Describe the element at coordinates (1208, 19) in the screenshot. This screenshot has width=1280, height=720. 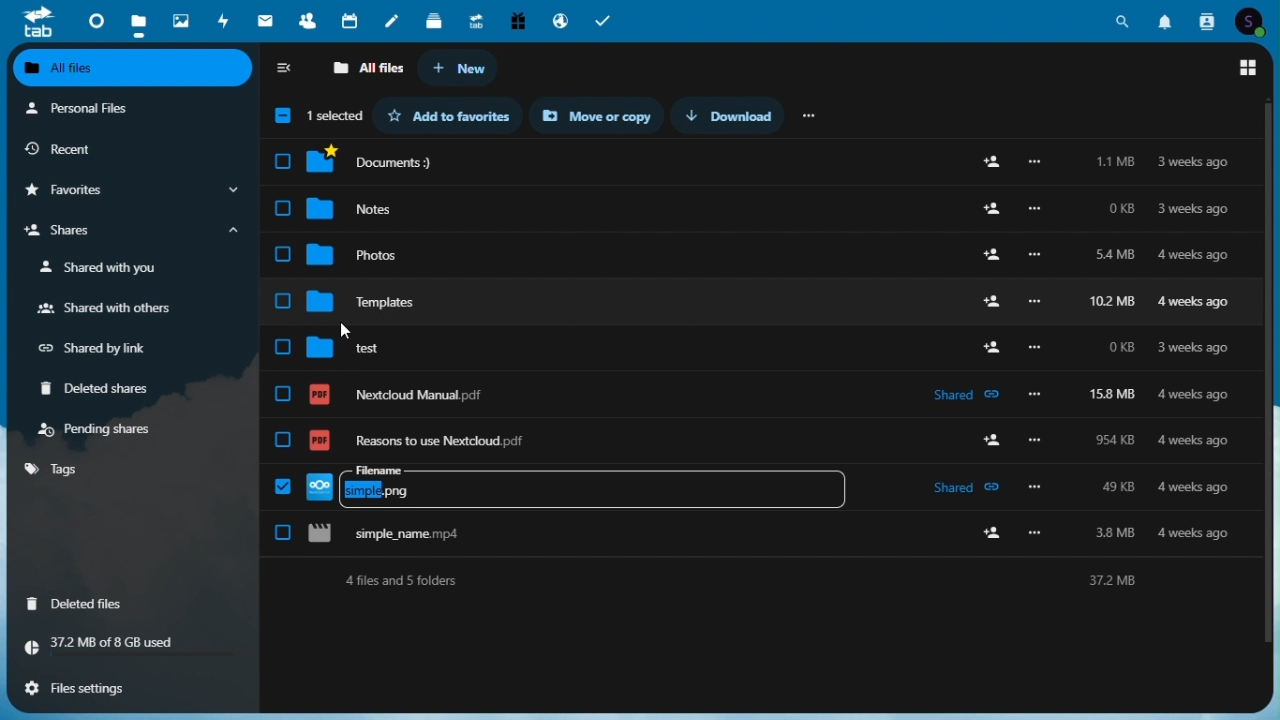
I see `Contacts` at that location.